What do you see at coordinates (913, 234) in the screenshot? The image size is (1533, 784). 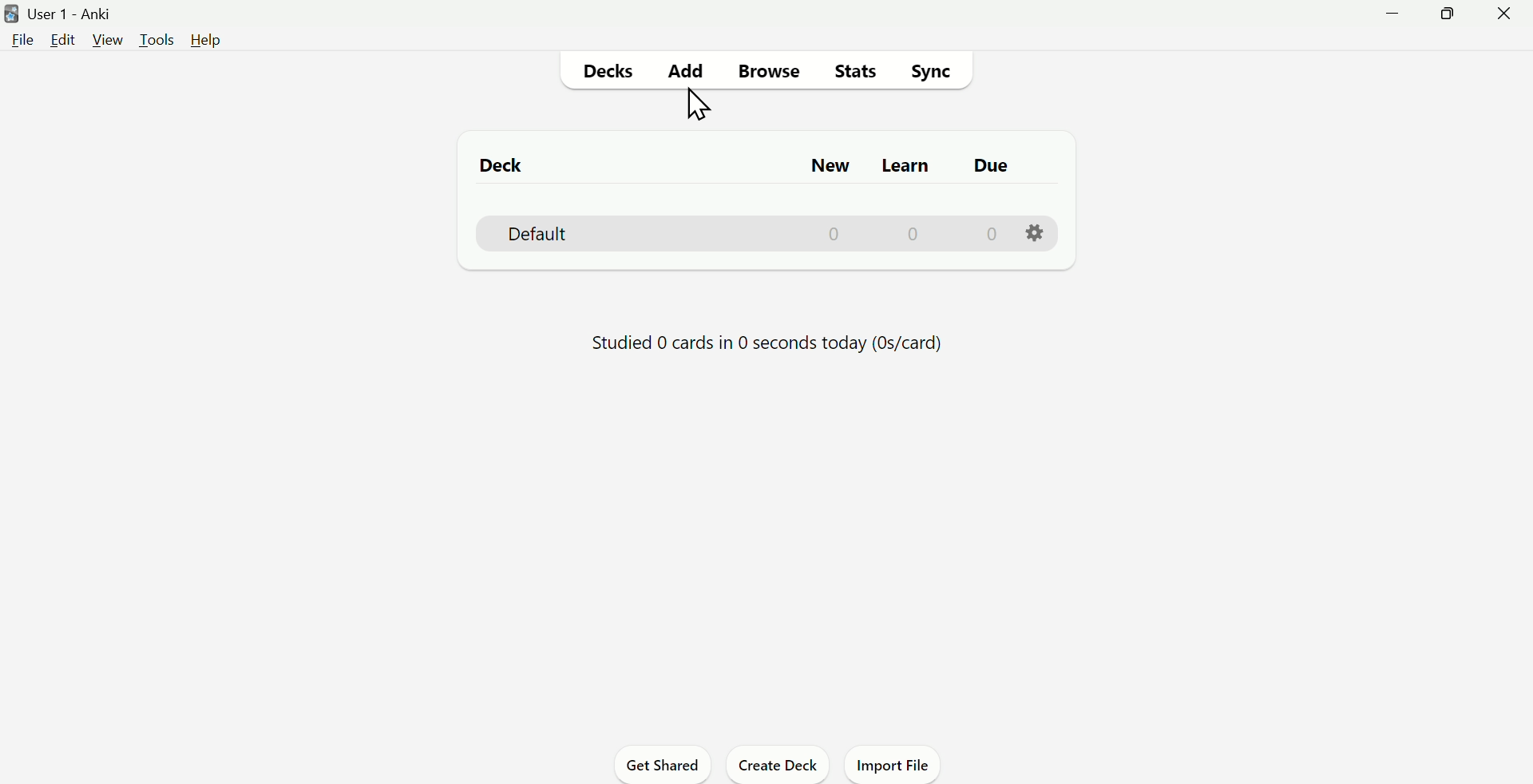 I see `0` at bounding box center [913, 234].